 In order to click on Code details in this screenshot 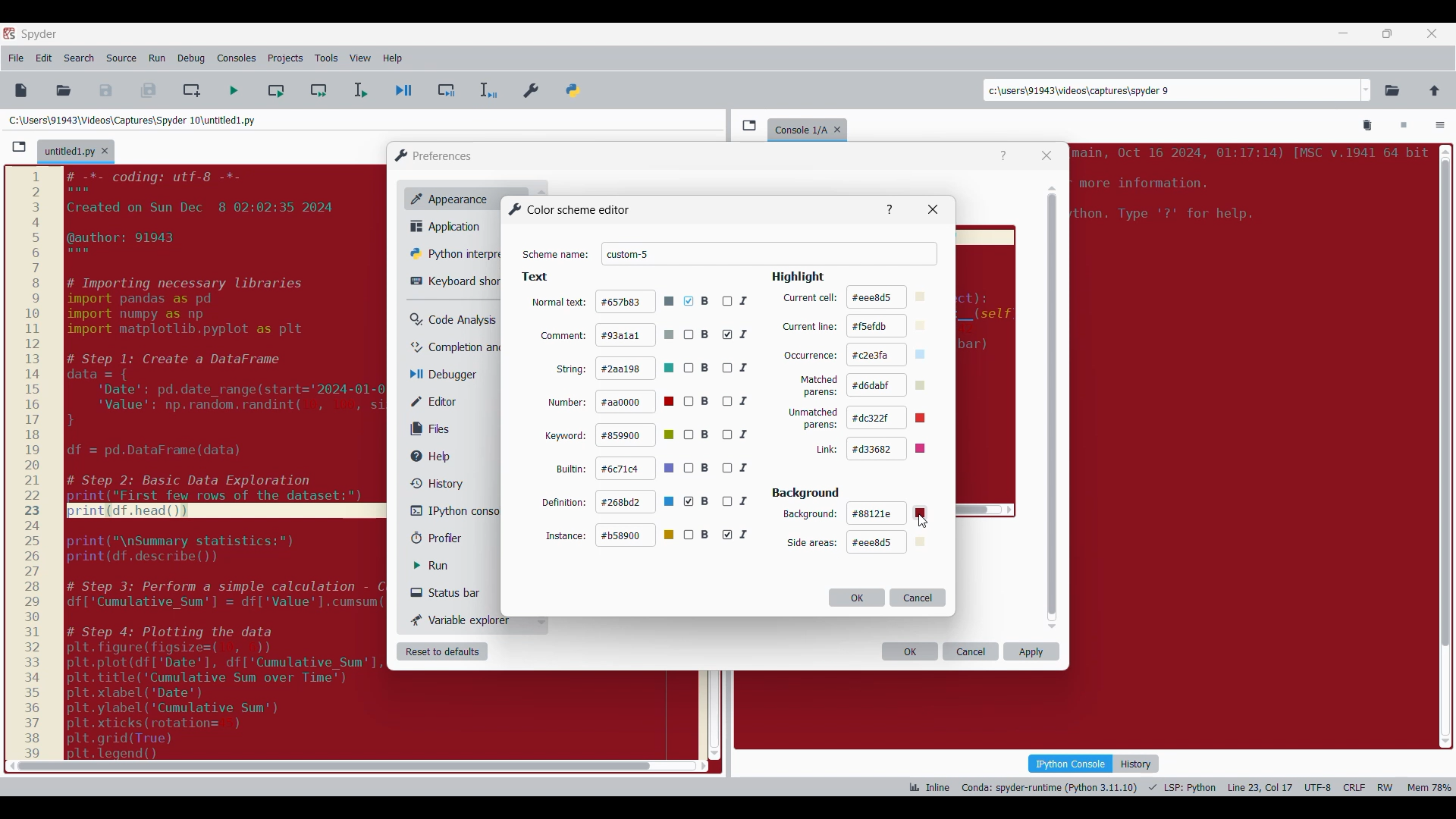, I will do `click(1178, 787)`.